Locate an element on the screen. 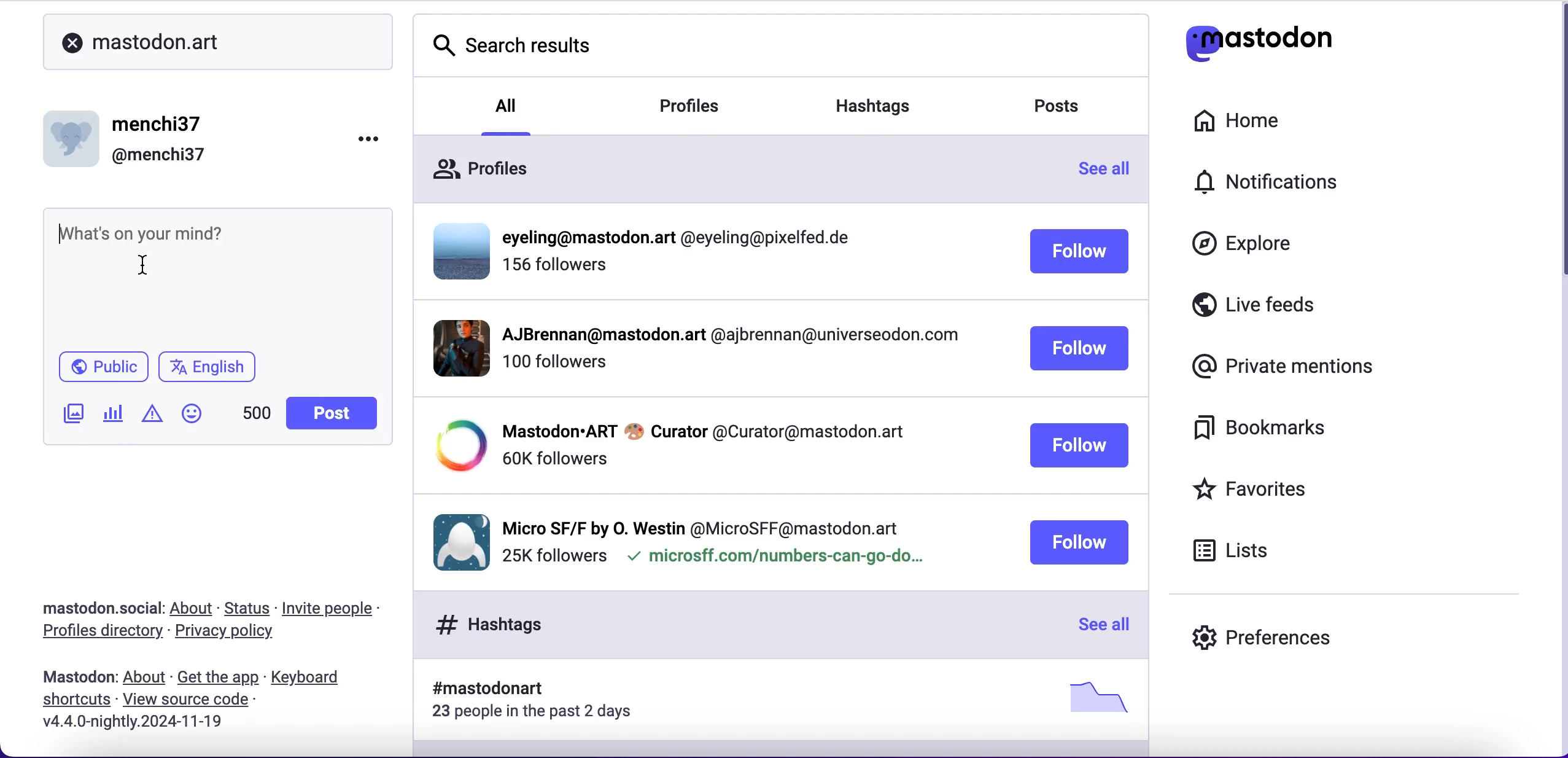 This screenshot has height=758, width=1568. mastodon logo is located at coordinates (1260, 37).